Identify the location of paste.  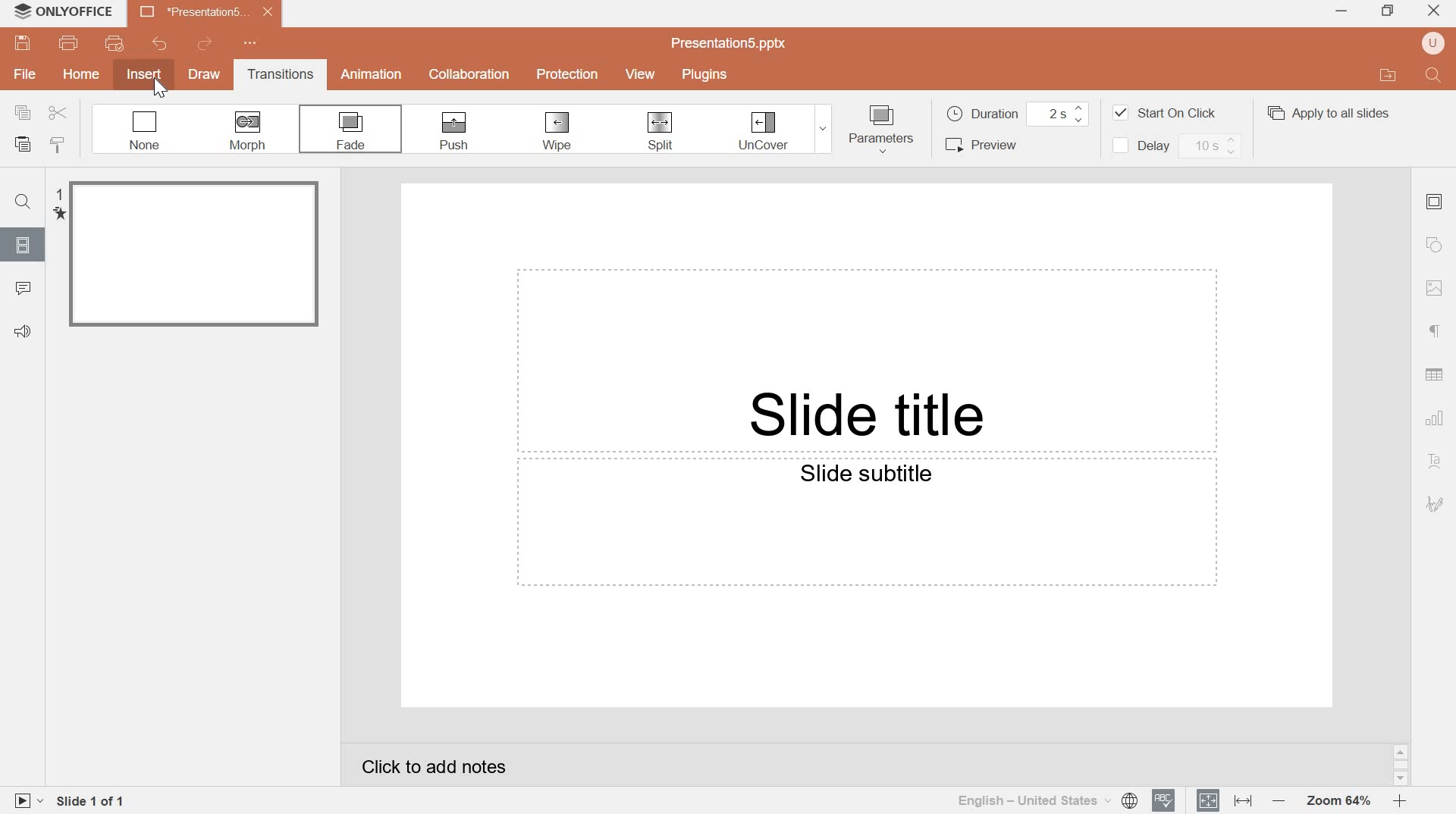
(23, 145).